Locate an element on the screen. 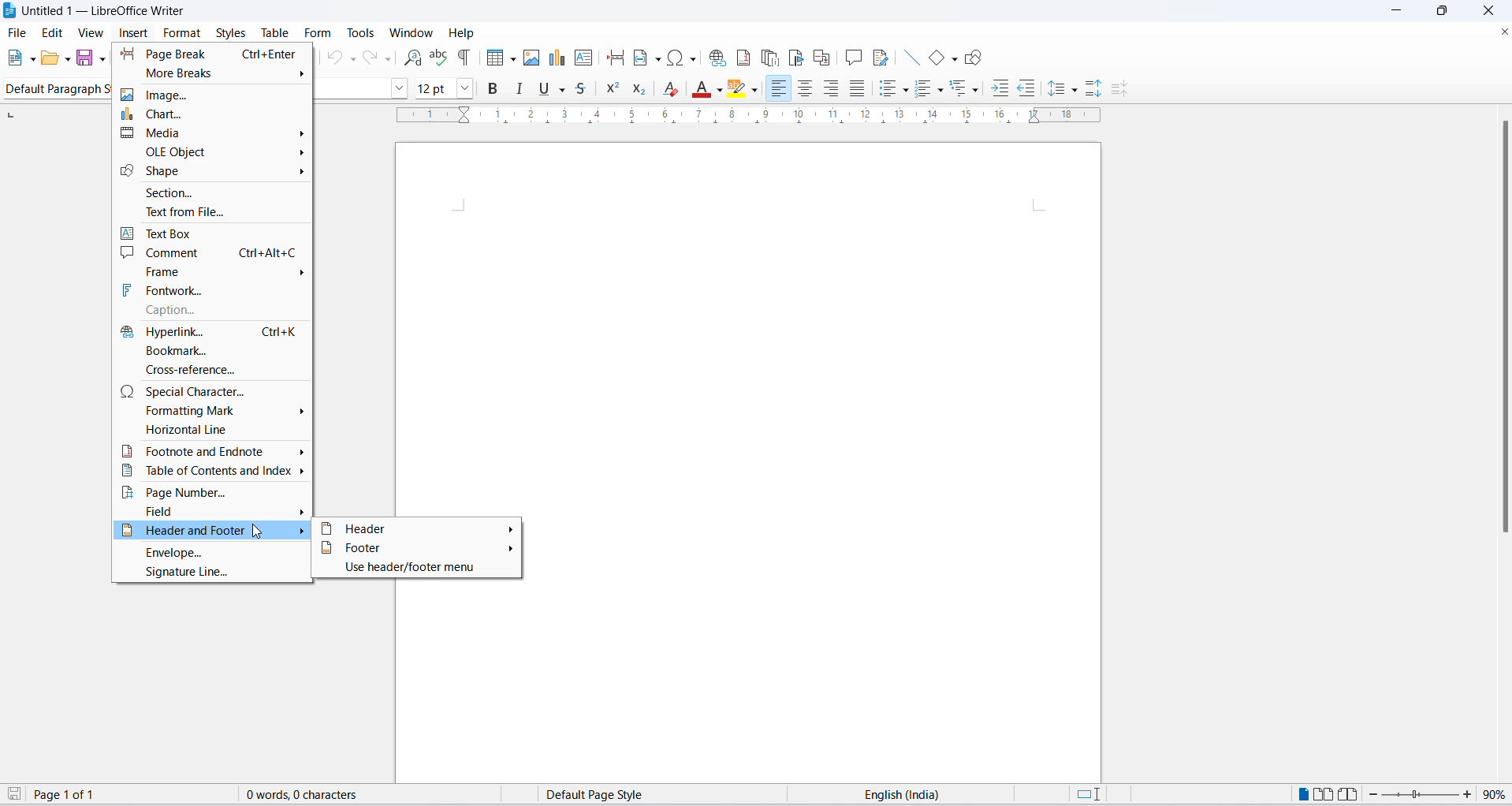  chart is located at coordinates (215, 114).